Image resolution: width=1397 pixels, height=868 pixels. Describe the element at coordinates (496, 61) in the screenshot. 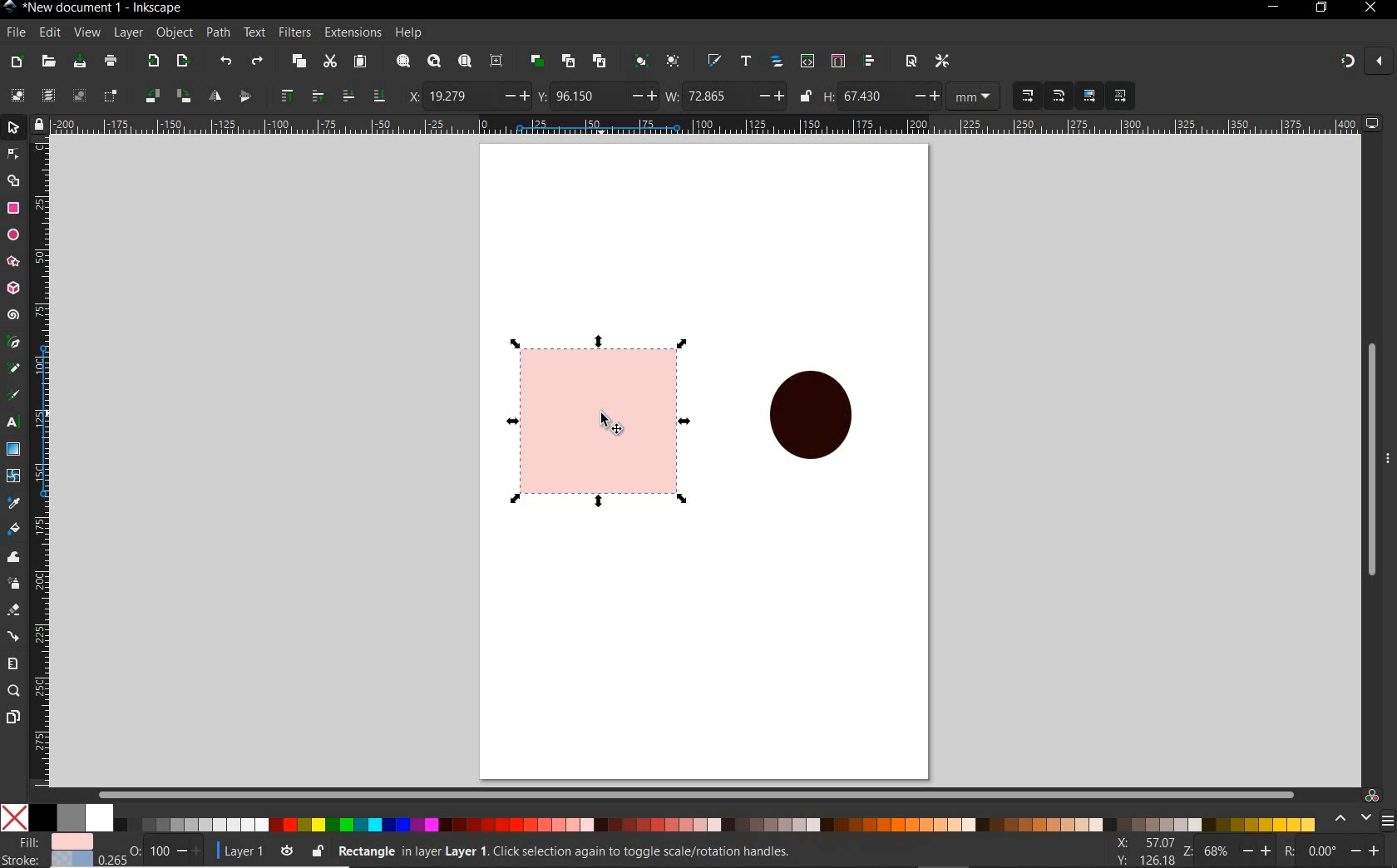

I see `zoom center page` at that location.